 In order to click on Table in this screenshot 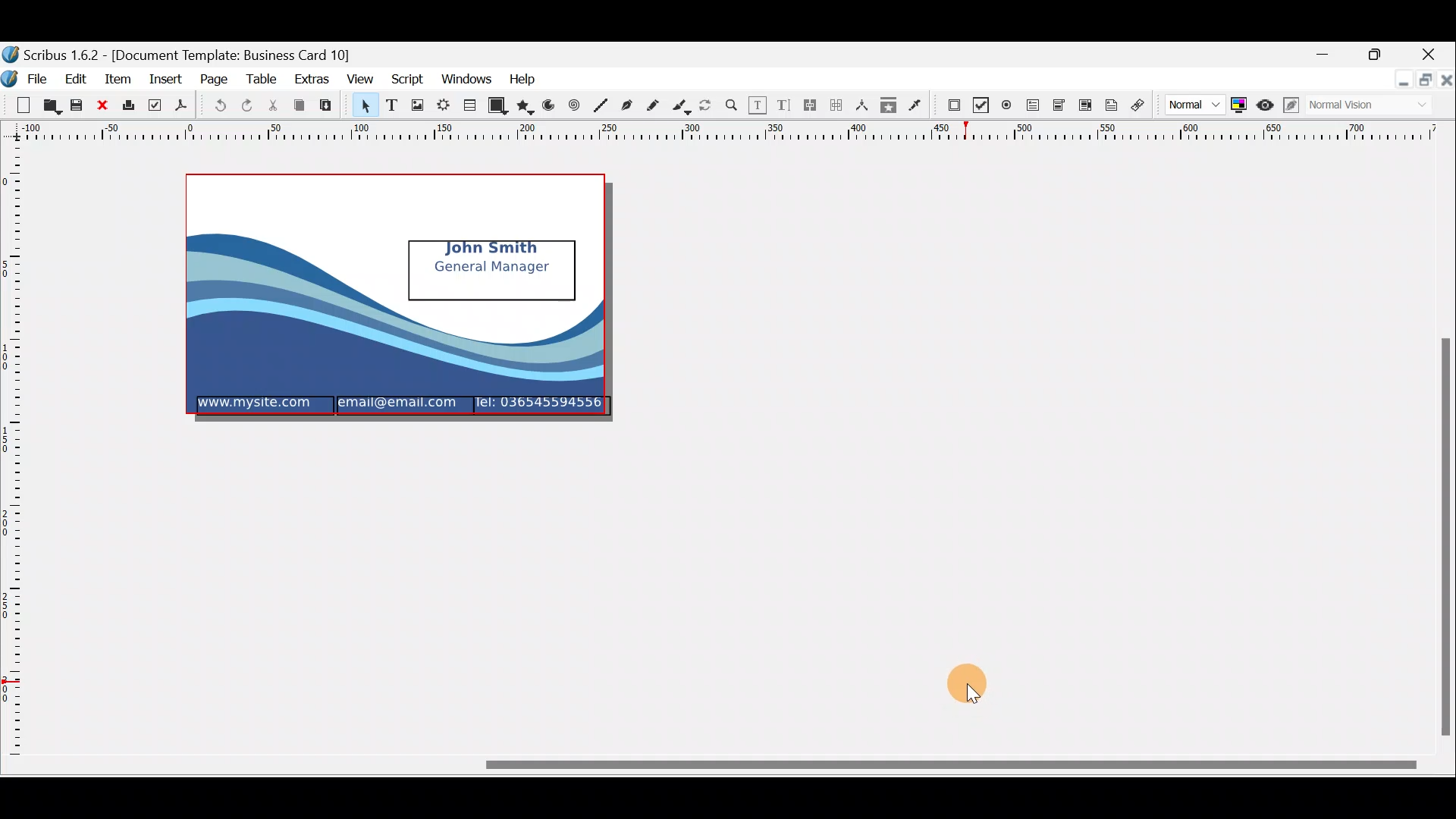, I will do `click(468, 107)`.